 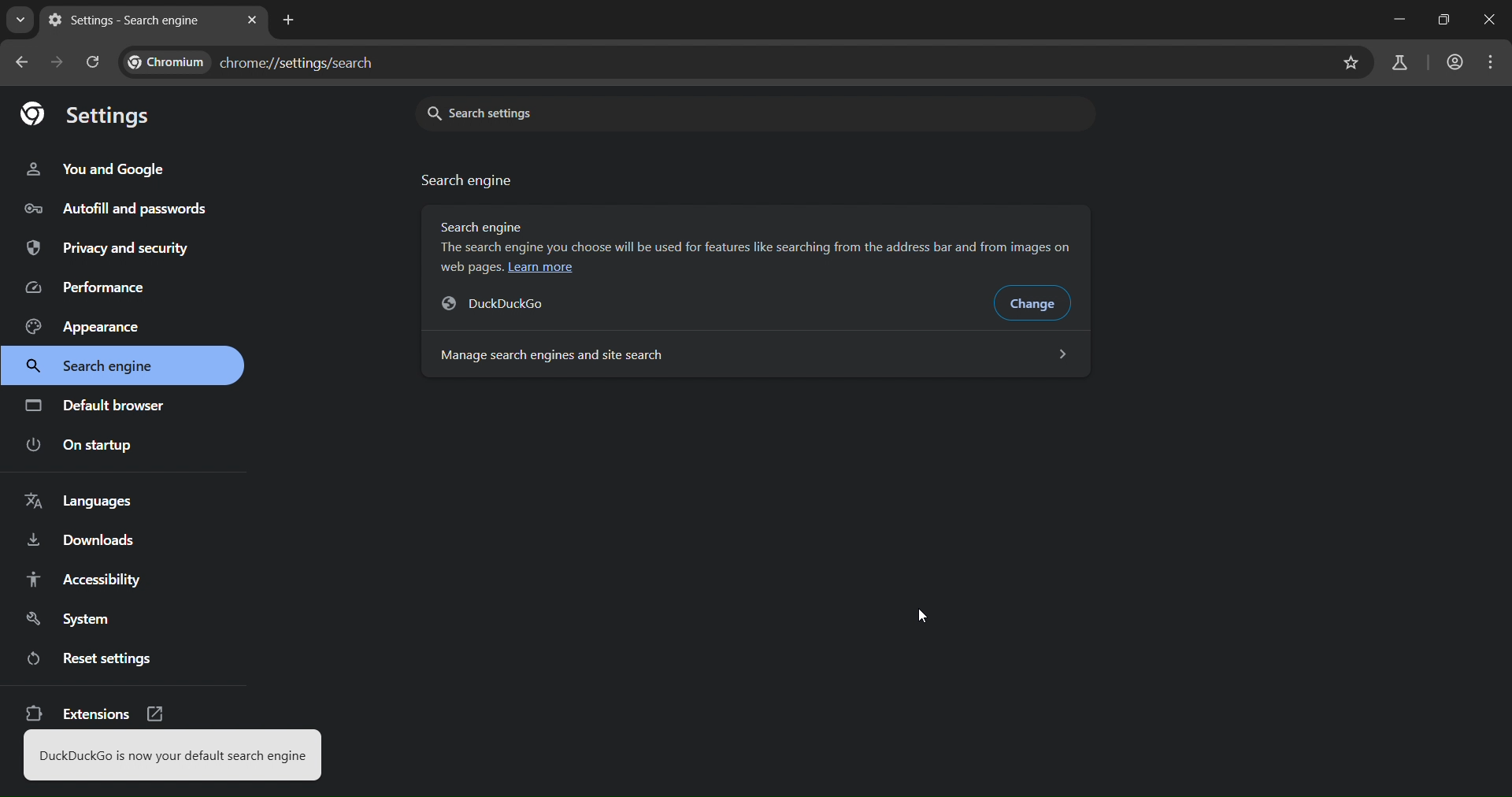 What do you see at coordinates (82, 543) in the screenshot?
I see `downloads` at bounding box center [82, 543].